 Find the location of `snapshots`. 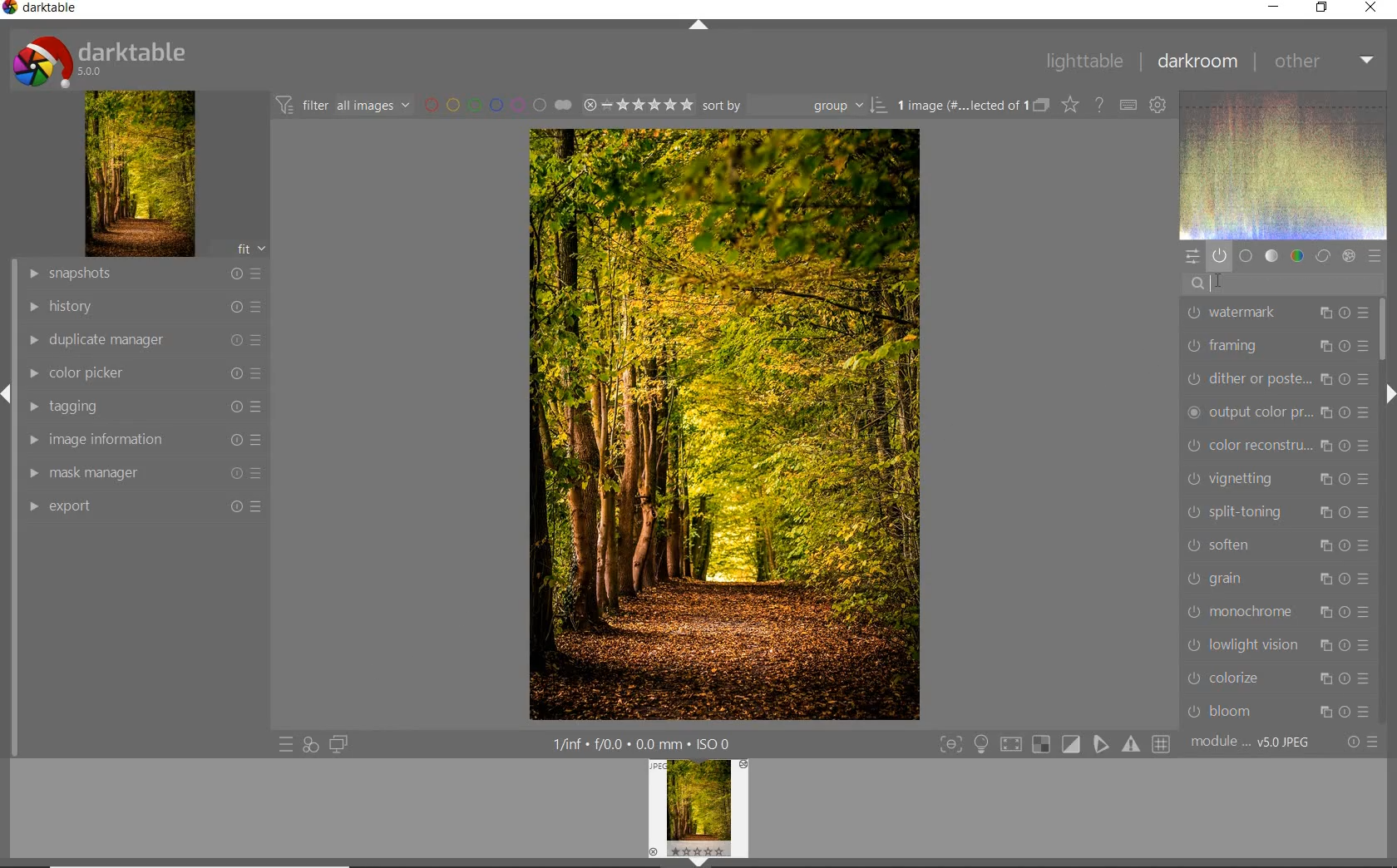

snapshots is located at coordinates (147, 274).